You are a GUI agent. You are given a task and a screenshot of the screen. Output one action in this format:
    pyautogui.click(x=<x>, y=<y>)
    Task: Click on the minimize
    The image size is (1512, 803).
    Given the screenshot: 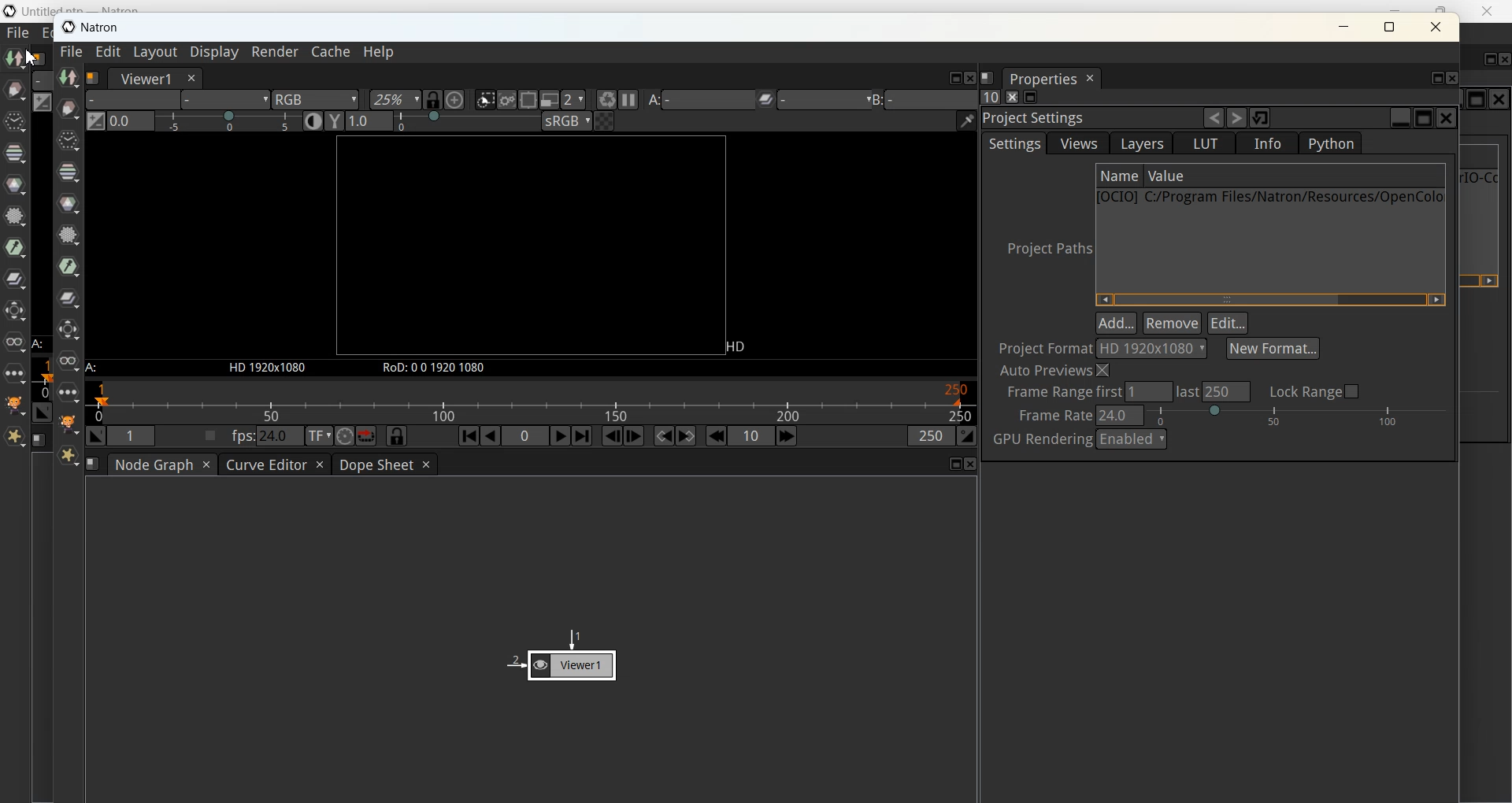 What is the action you would take?
    pyautogui.click(x=1345, y=28)
    